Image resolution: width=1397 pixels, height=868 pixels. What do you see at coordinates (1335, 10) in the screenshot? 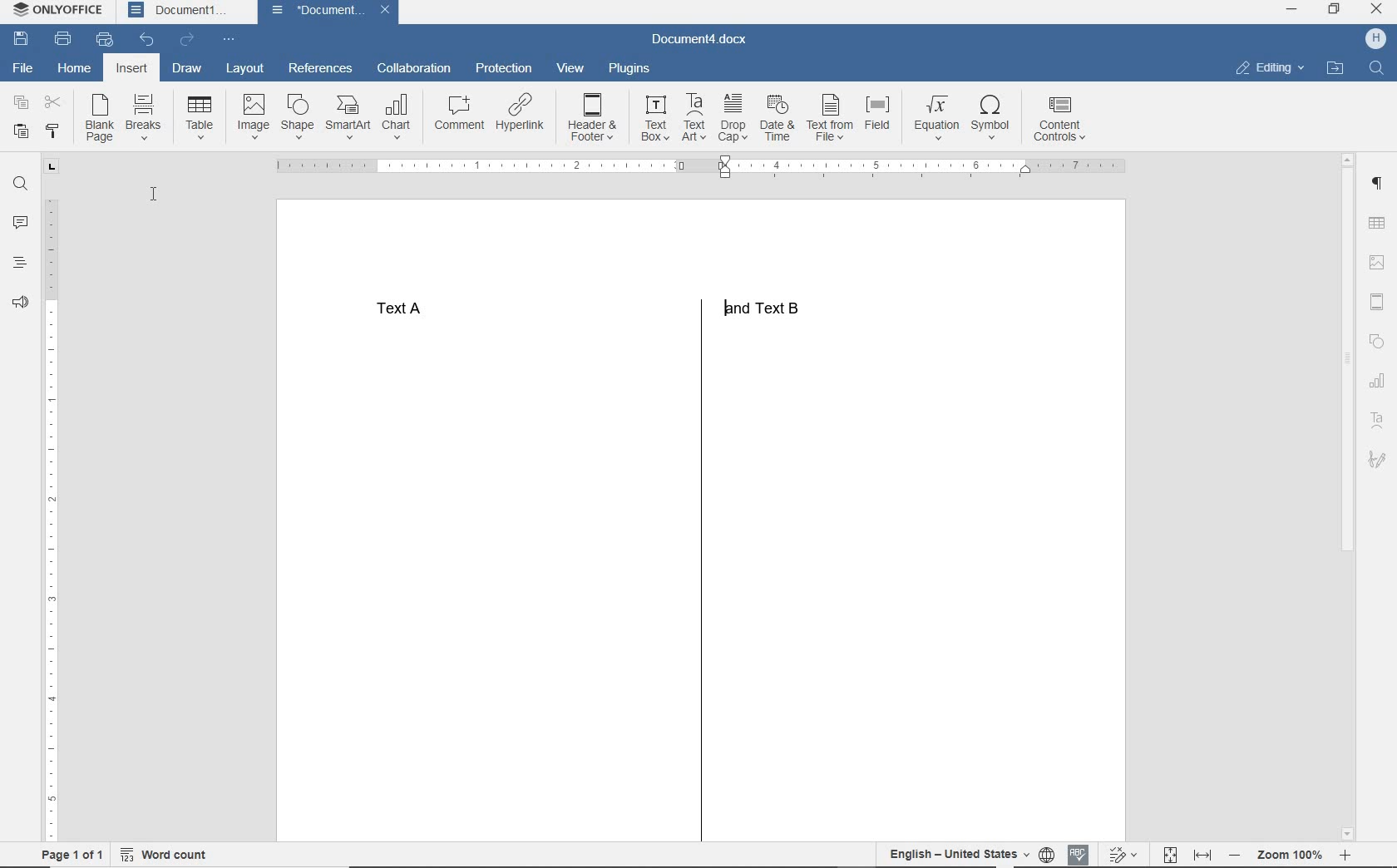
I see `restore down` at bounding box center [1335, 10].